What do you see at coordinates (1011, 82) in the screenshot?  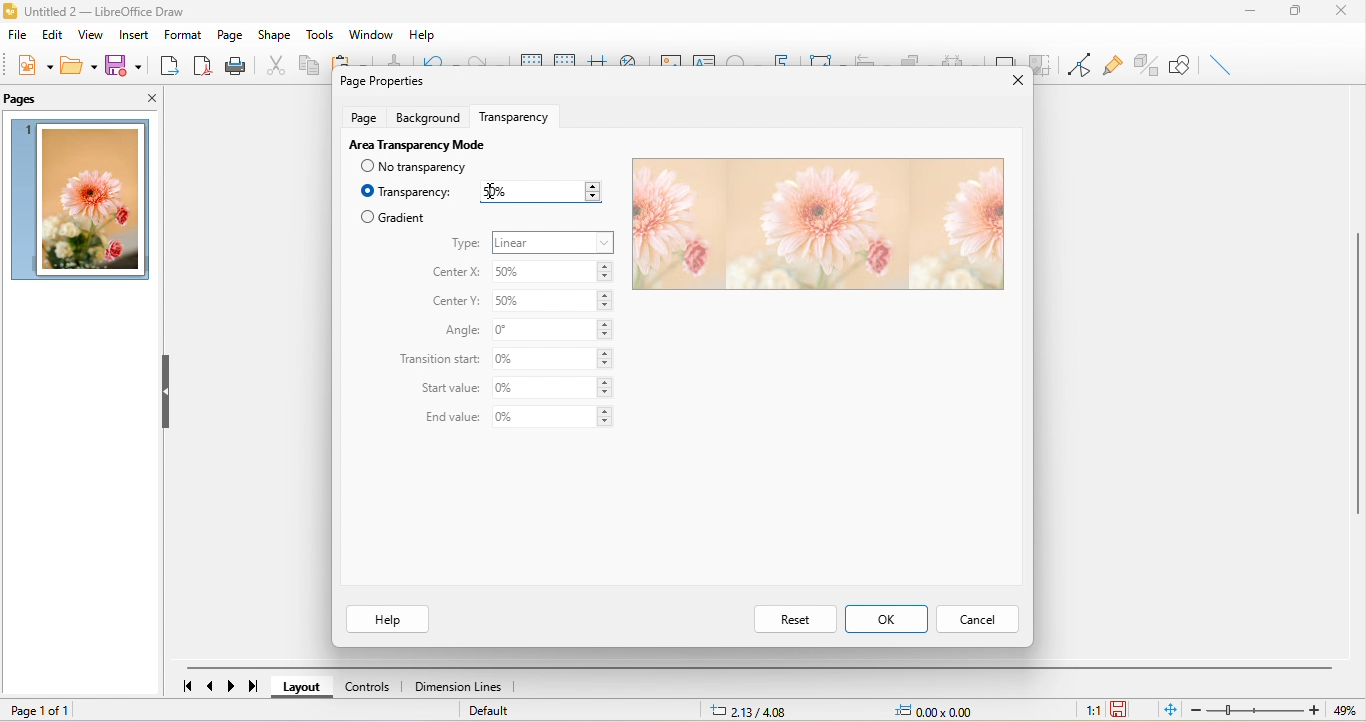 I see `close` at bounding box center [1011, 82].